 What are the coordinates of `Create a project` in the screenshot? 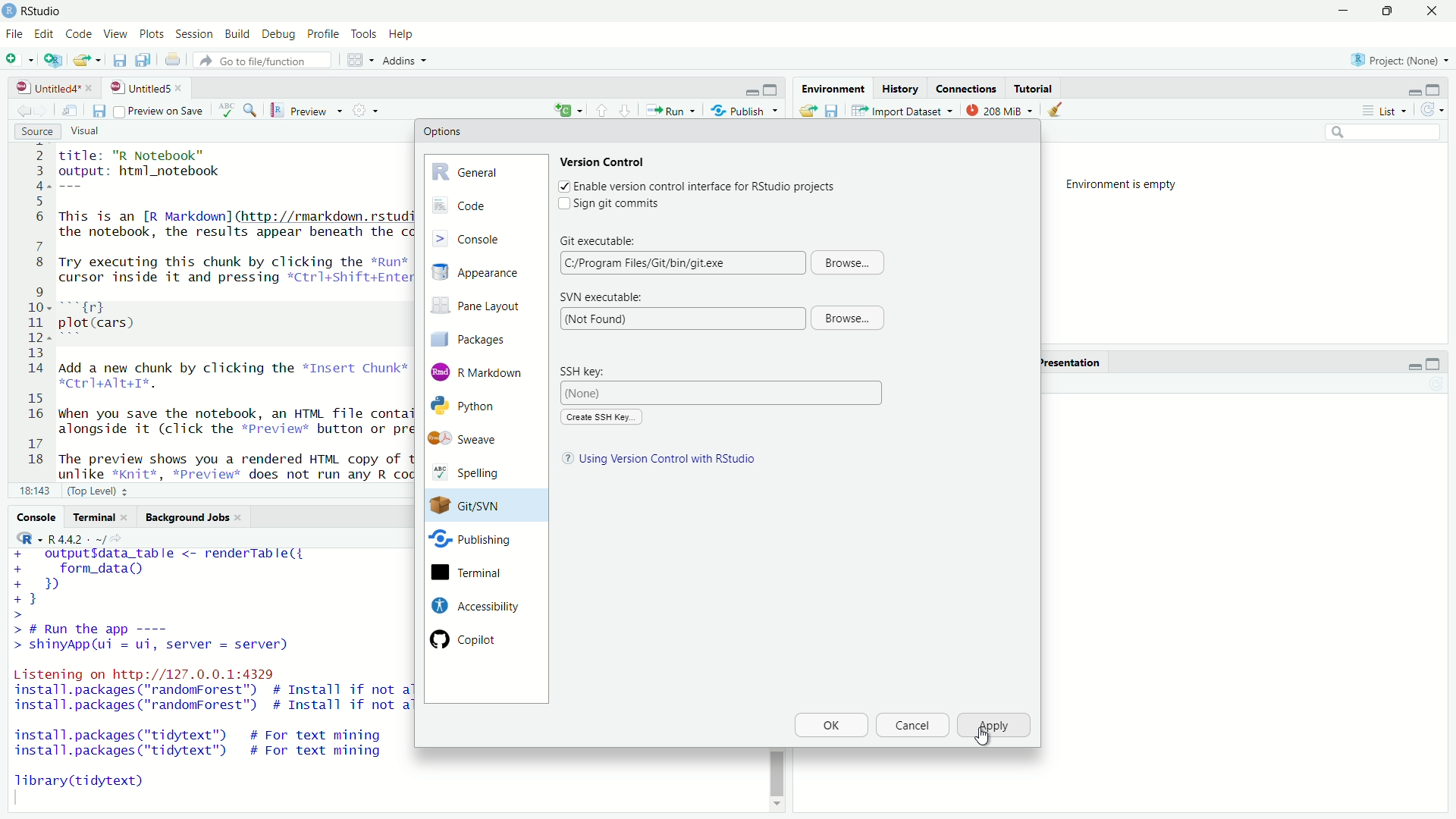 It's located at (54, 59).